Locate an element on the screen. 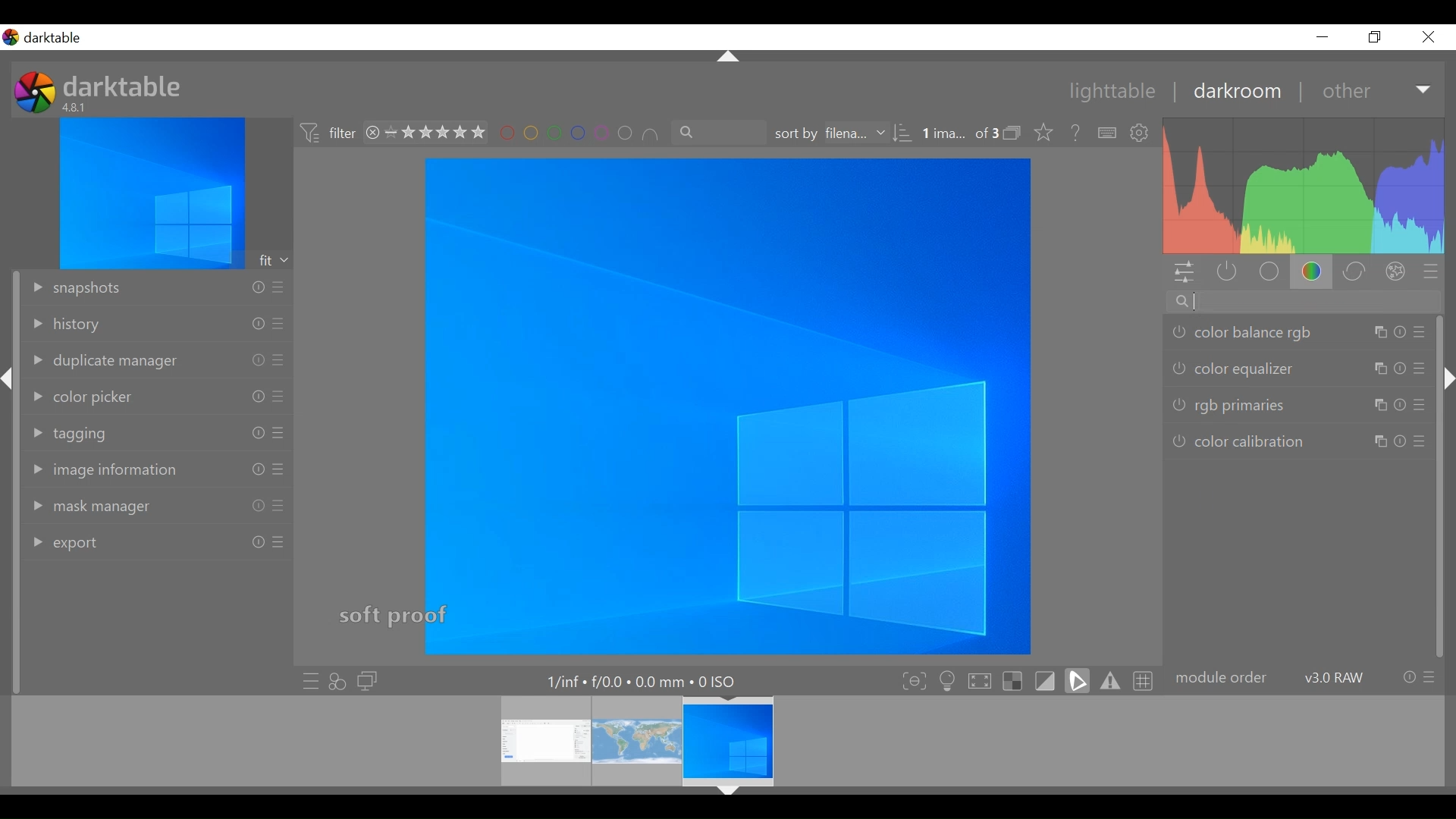 This screenshot has width=1456, height=819. darkroom is located at coordinates (1231, 93).